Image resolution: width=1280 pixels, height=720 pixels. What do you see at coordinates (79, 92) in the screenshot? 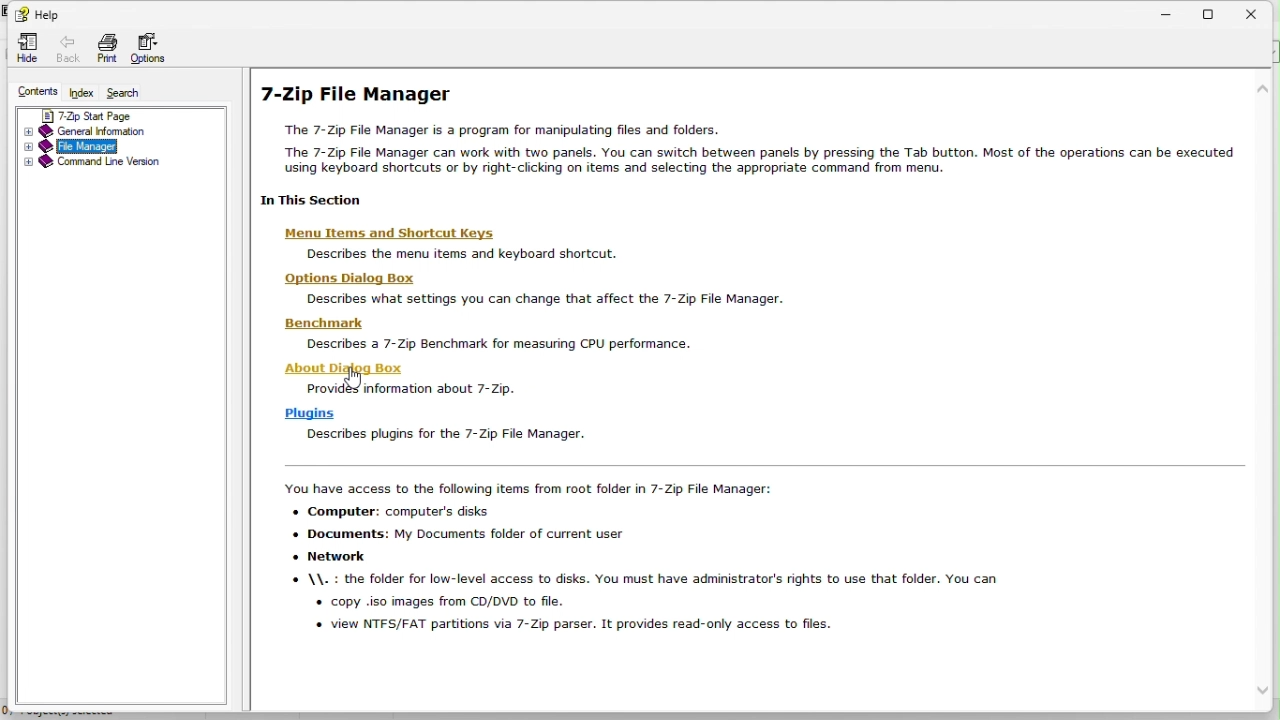
I see `index` at bounding box center [79, 92].